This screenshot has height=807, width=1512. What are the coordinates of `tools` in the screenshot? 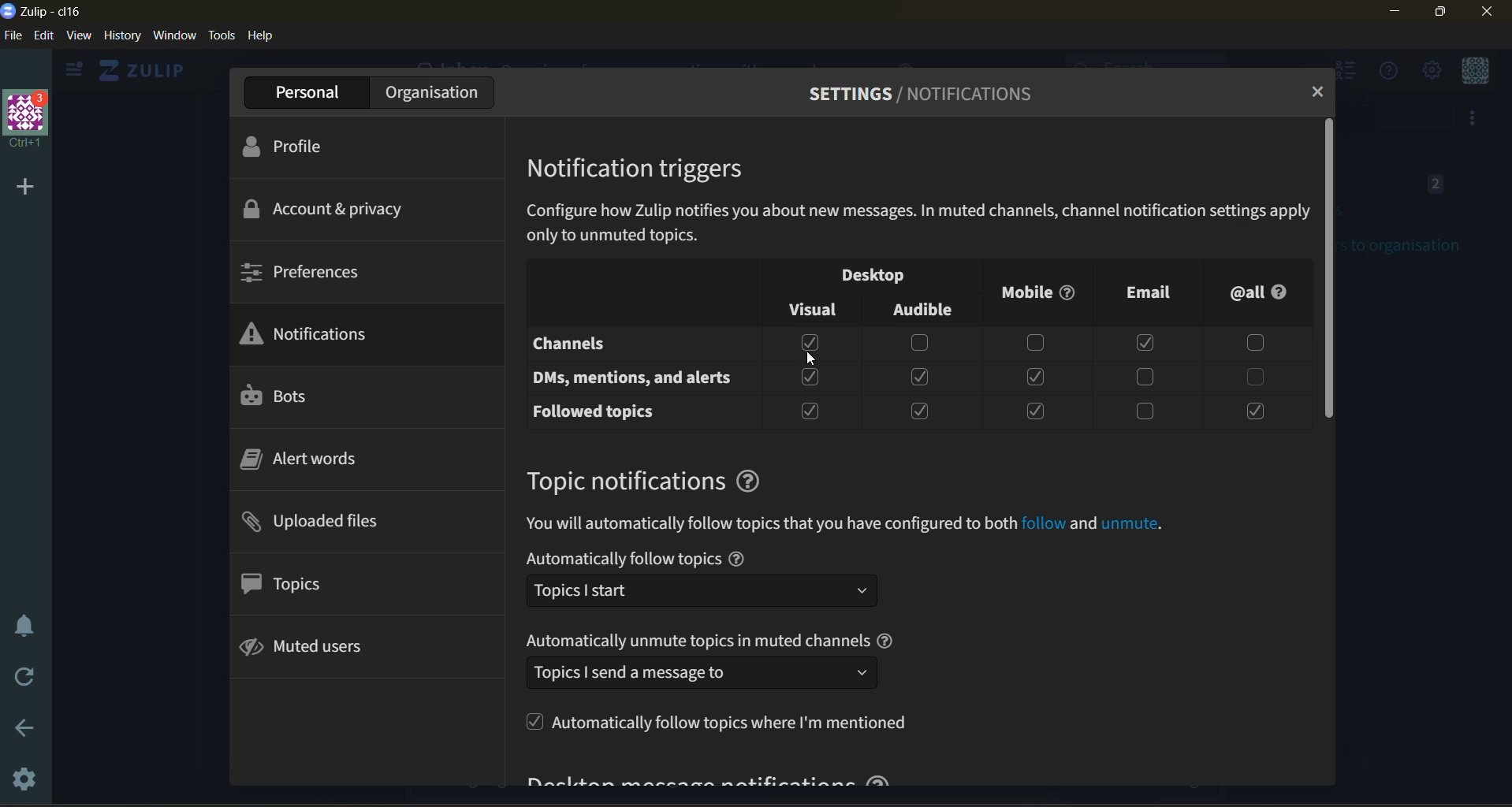 It's located at (222, 35).